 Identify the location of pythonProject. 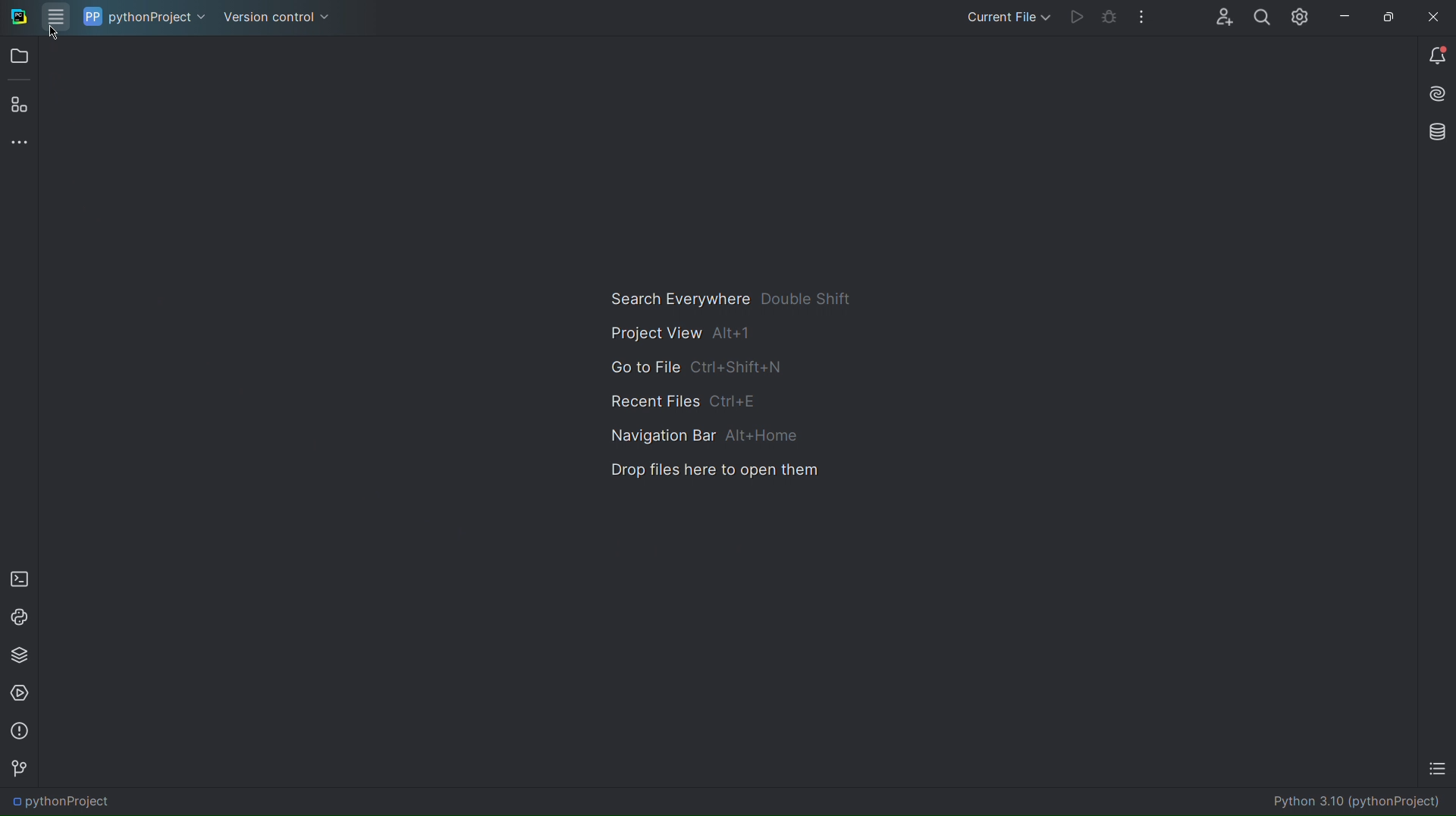
(66, 803).